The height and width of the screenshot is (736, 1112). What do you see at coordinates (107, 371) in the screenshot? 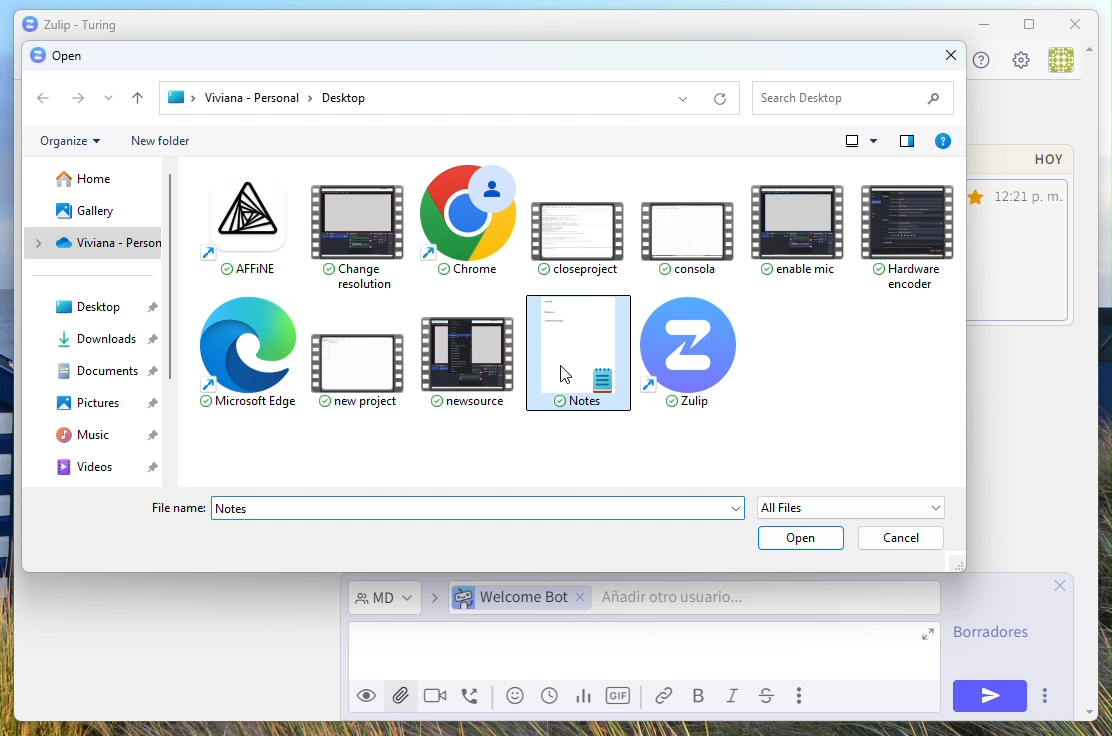
I see `Documents` at bounding box center [107, 371].